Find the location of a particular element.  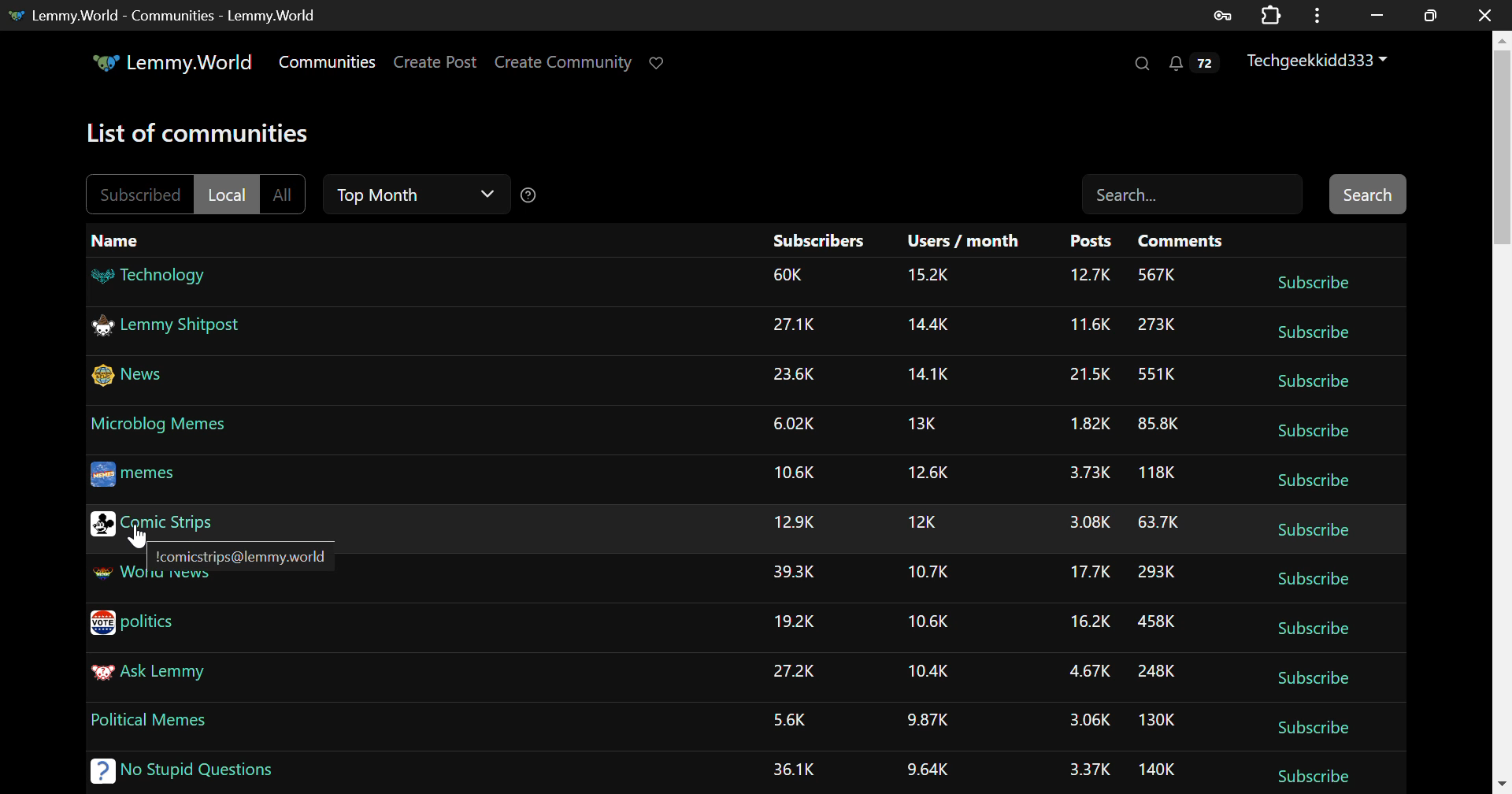

Donate is located at coordinates (661, 61).